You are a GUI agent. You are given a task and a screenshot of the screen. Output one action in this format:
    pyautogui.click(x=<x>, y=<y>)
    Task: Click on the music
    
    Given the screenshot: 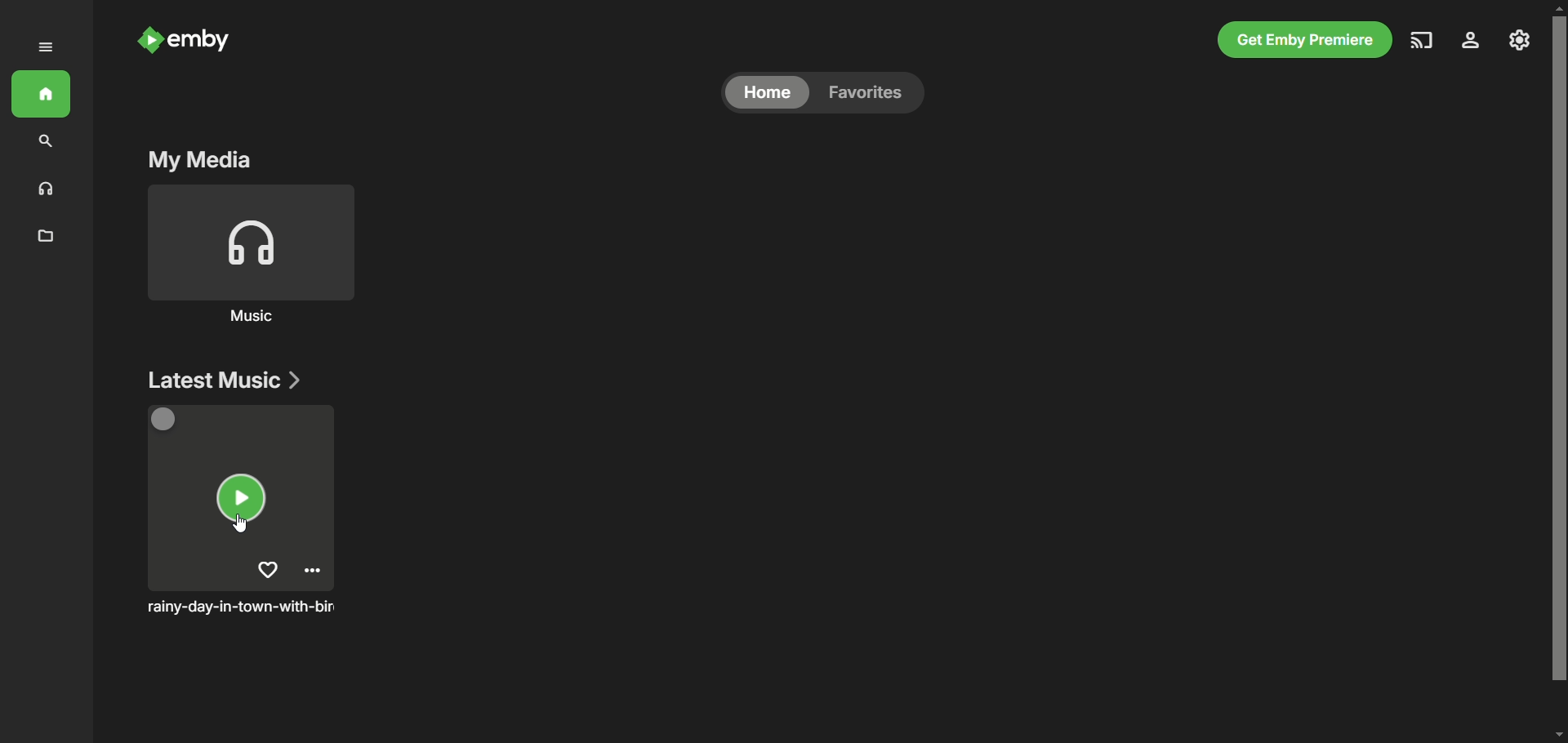 What is the action you would take?
    pyautogui.click(x=254, y=318)
    